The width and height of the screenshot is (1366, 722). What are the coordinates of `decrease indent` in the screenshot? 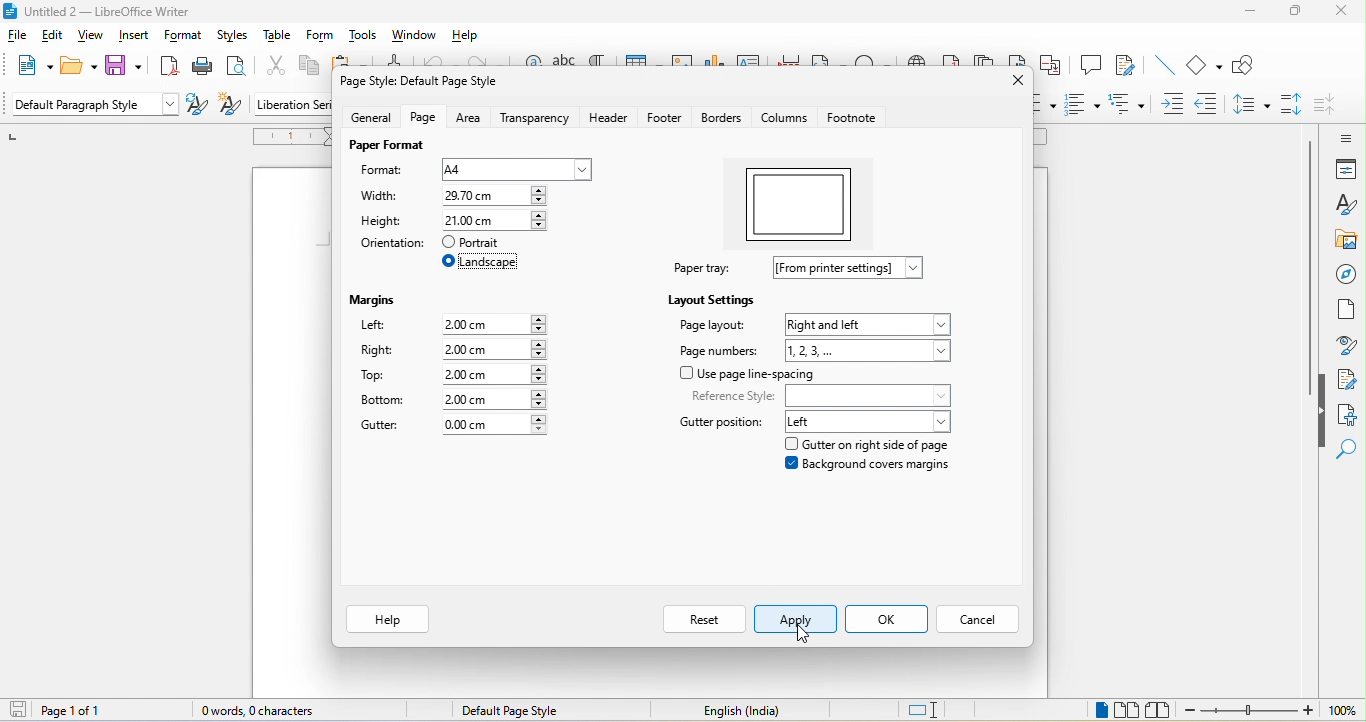 It's located at (1211, 104).